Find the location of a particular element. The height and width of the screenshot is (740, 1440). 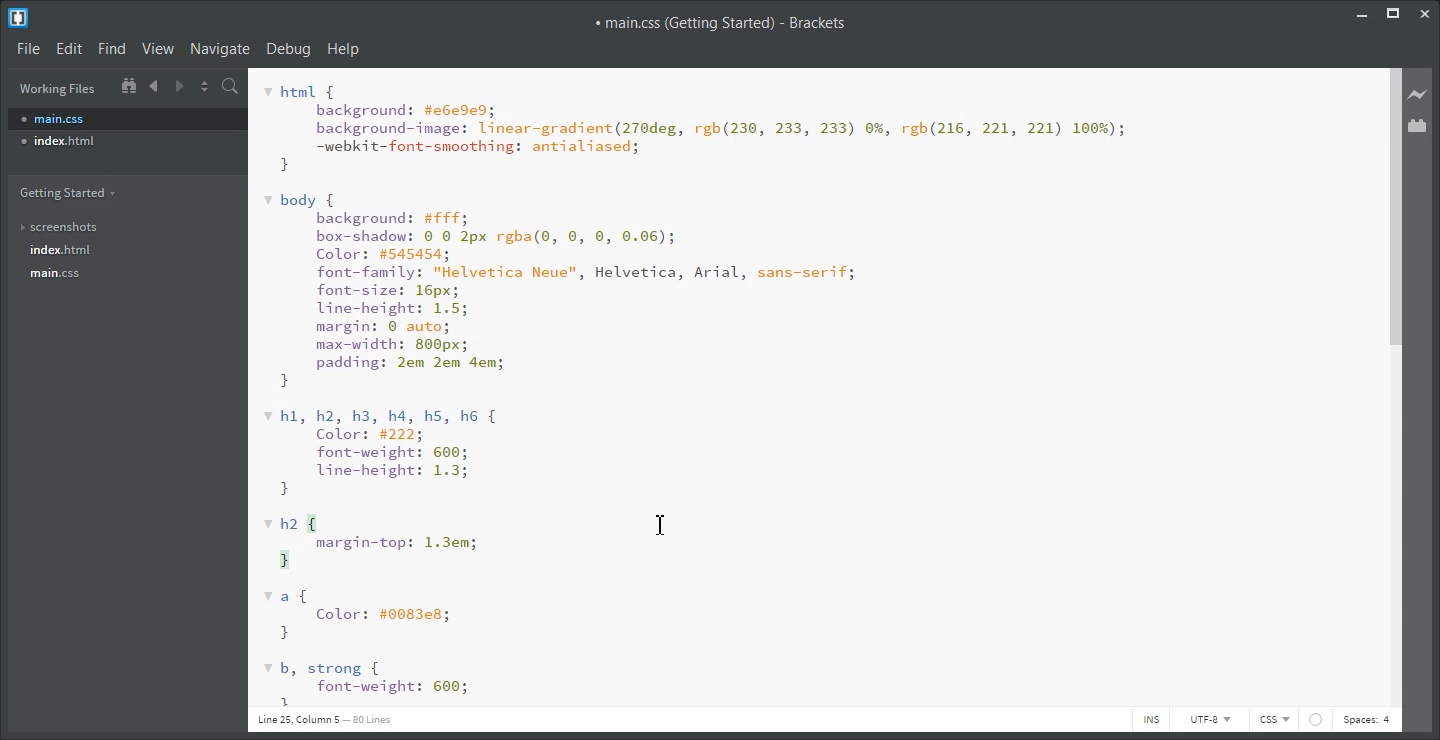

Navigate Forward is located at coordinates (180, 84).